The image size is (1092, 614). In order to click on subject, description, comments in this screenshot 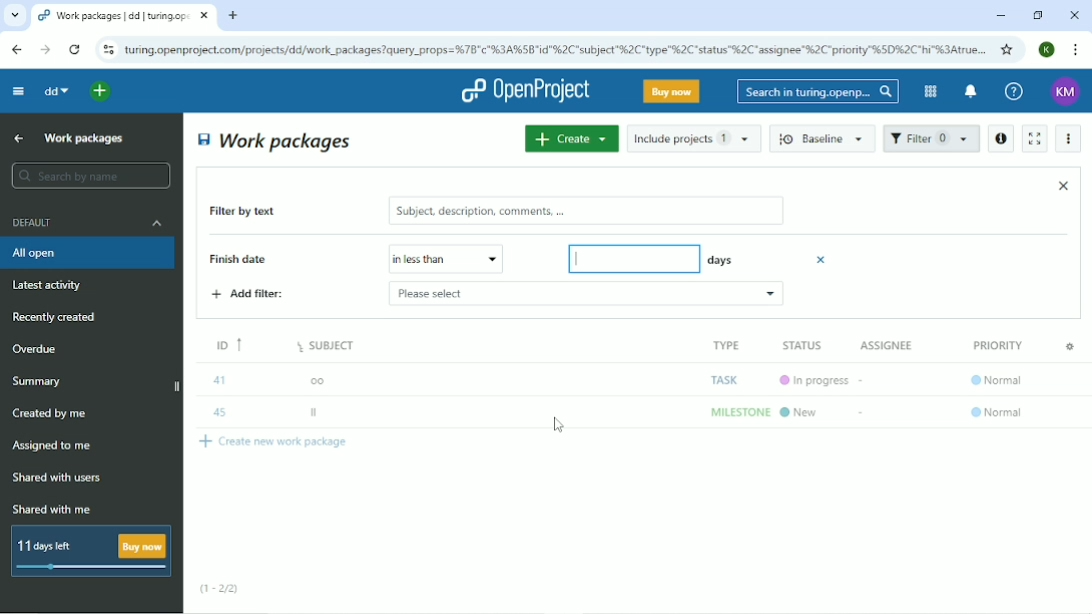, I will do `click(585, 211)`.